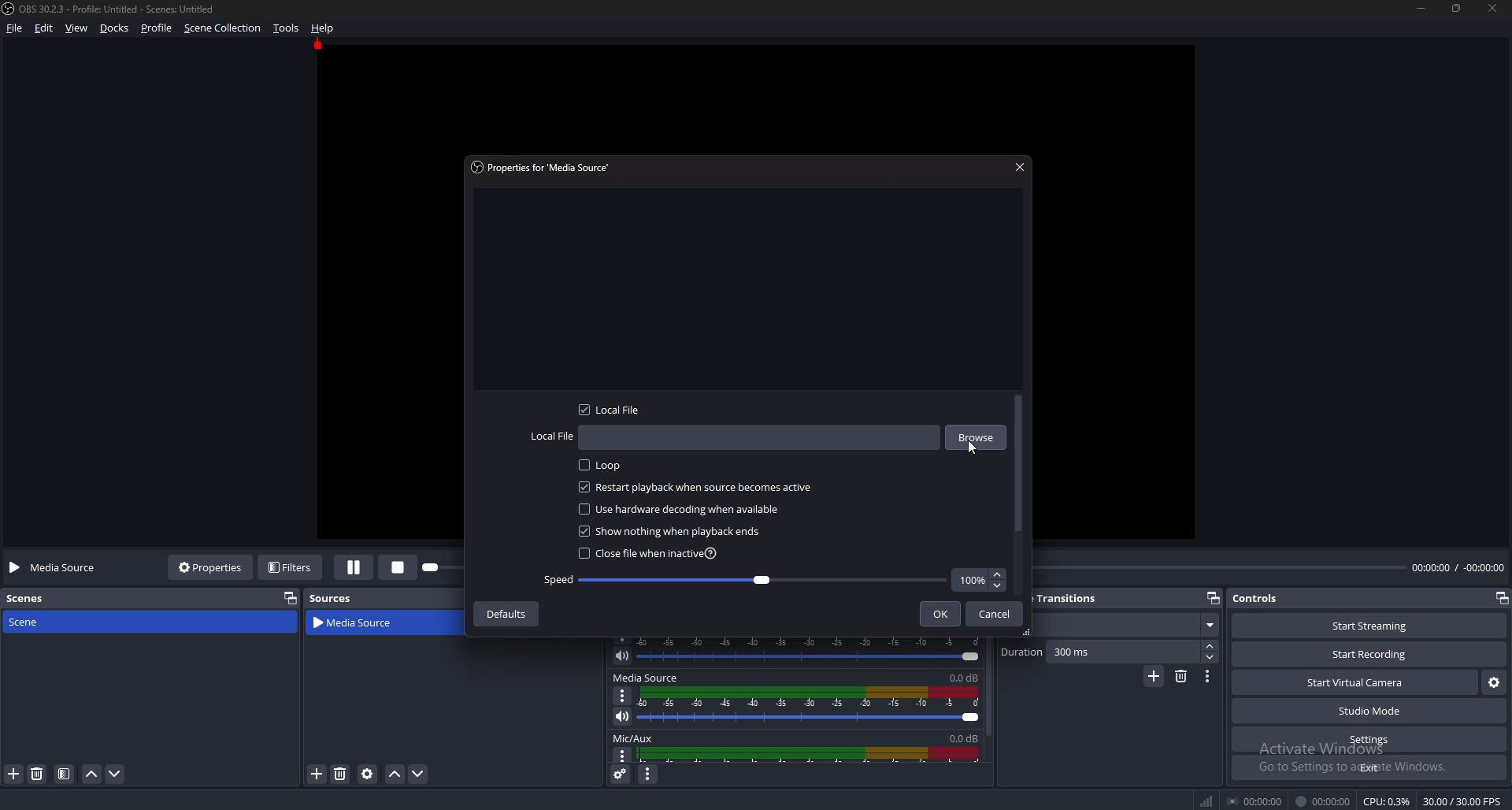  I want to click on Speed, so click(746, 580).